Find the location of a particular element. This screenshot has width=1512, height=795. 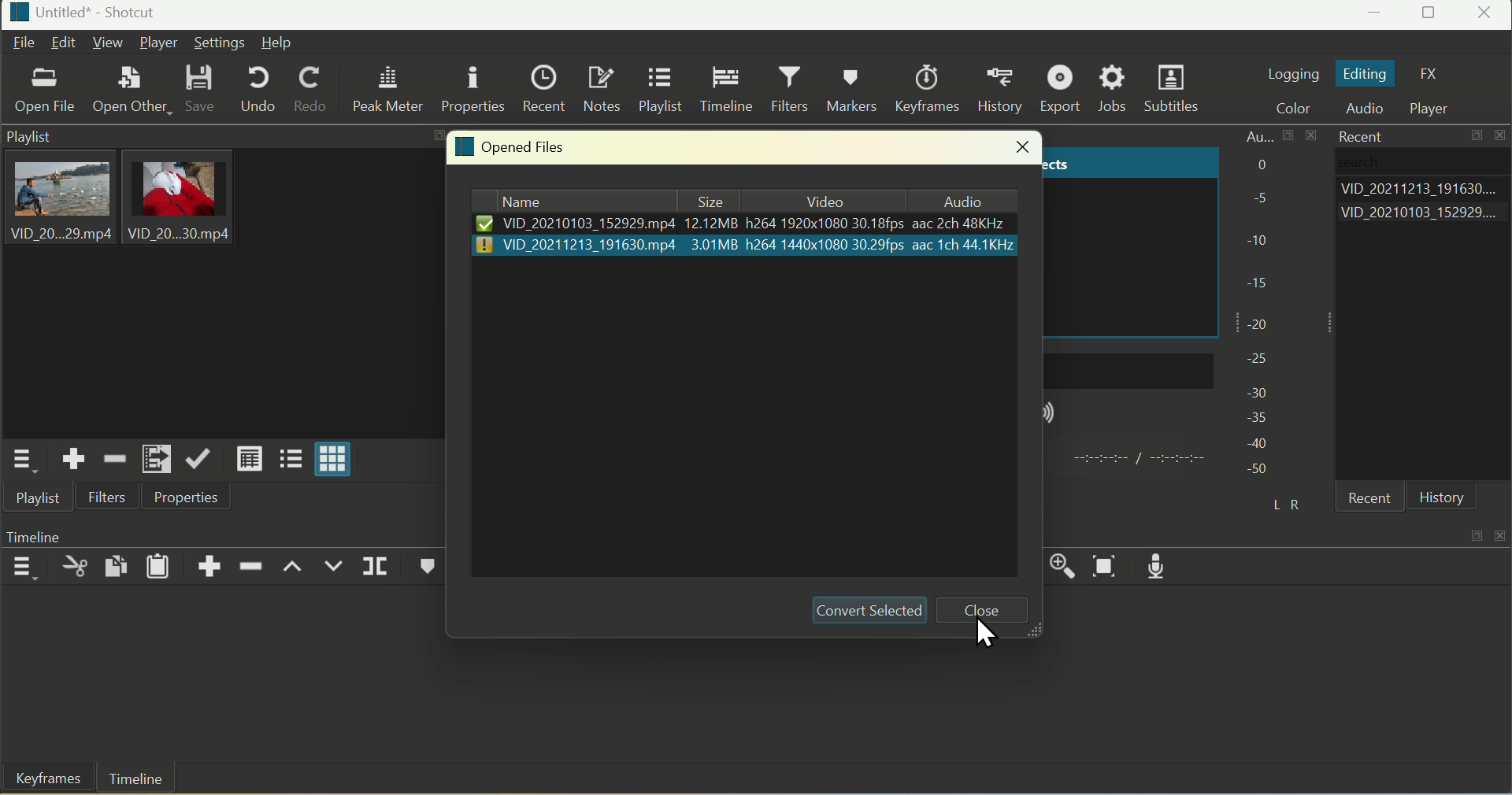

Timeline is located at coordinates (136, 779).